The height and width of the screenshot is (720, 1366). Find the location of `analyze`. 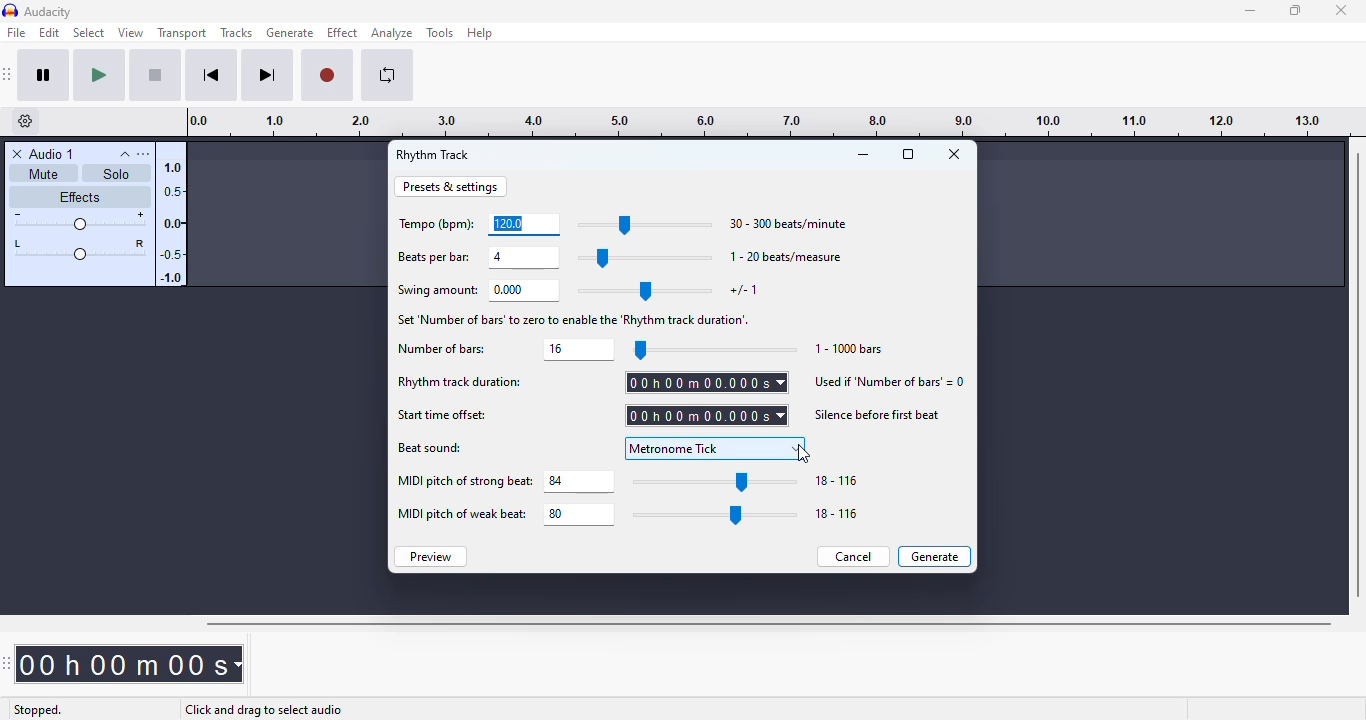

analyze is located at coordinates (392, 33).